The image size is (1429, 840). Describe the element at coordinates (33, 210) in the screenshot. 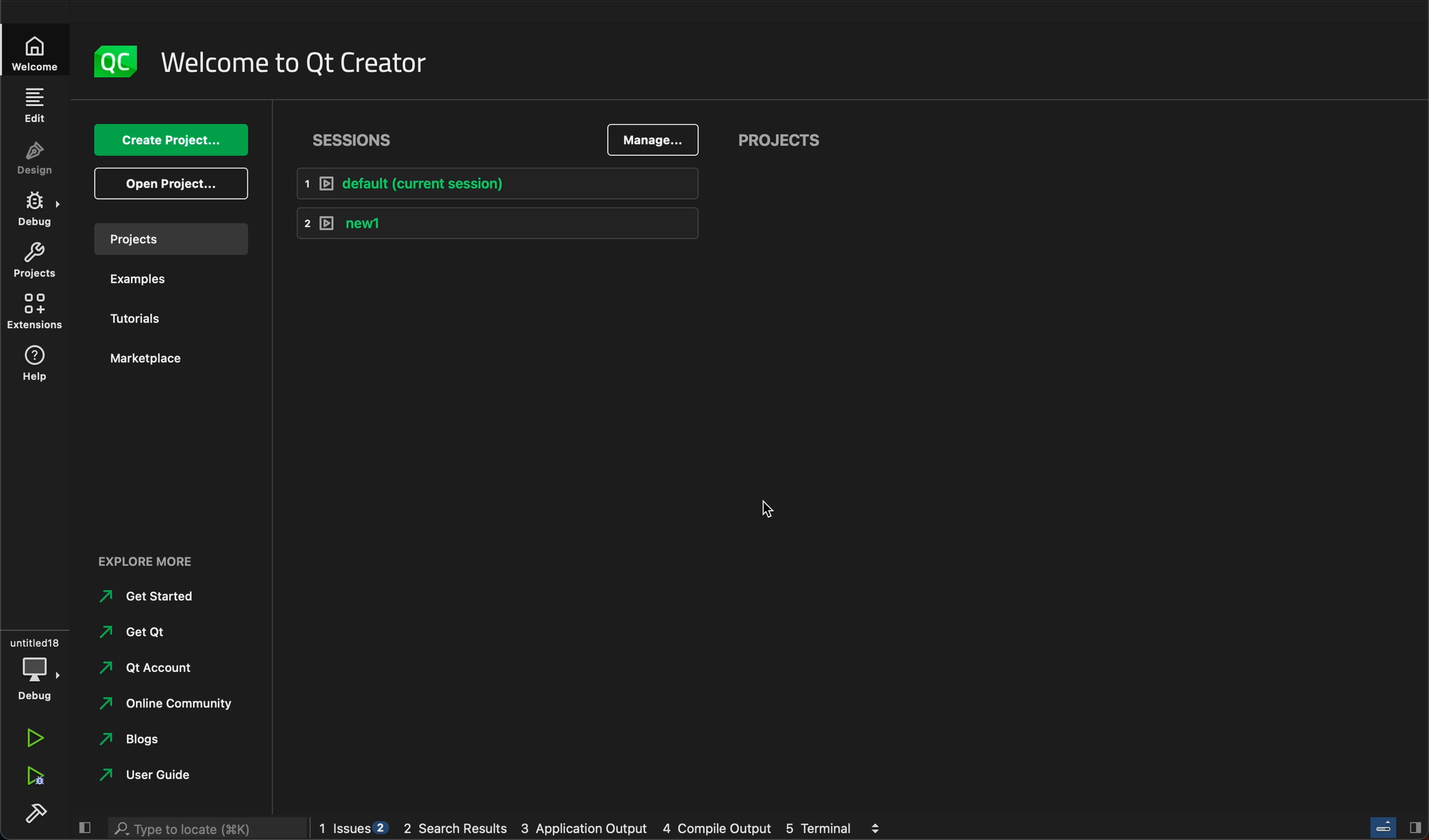

I see `debug` at that location.